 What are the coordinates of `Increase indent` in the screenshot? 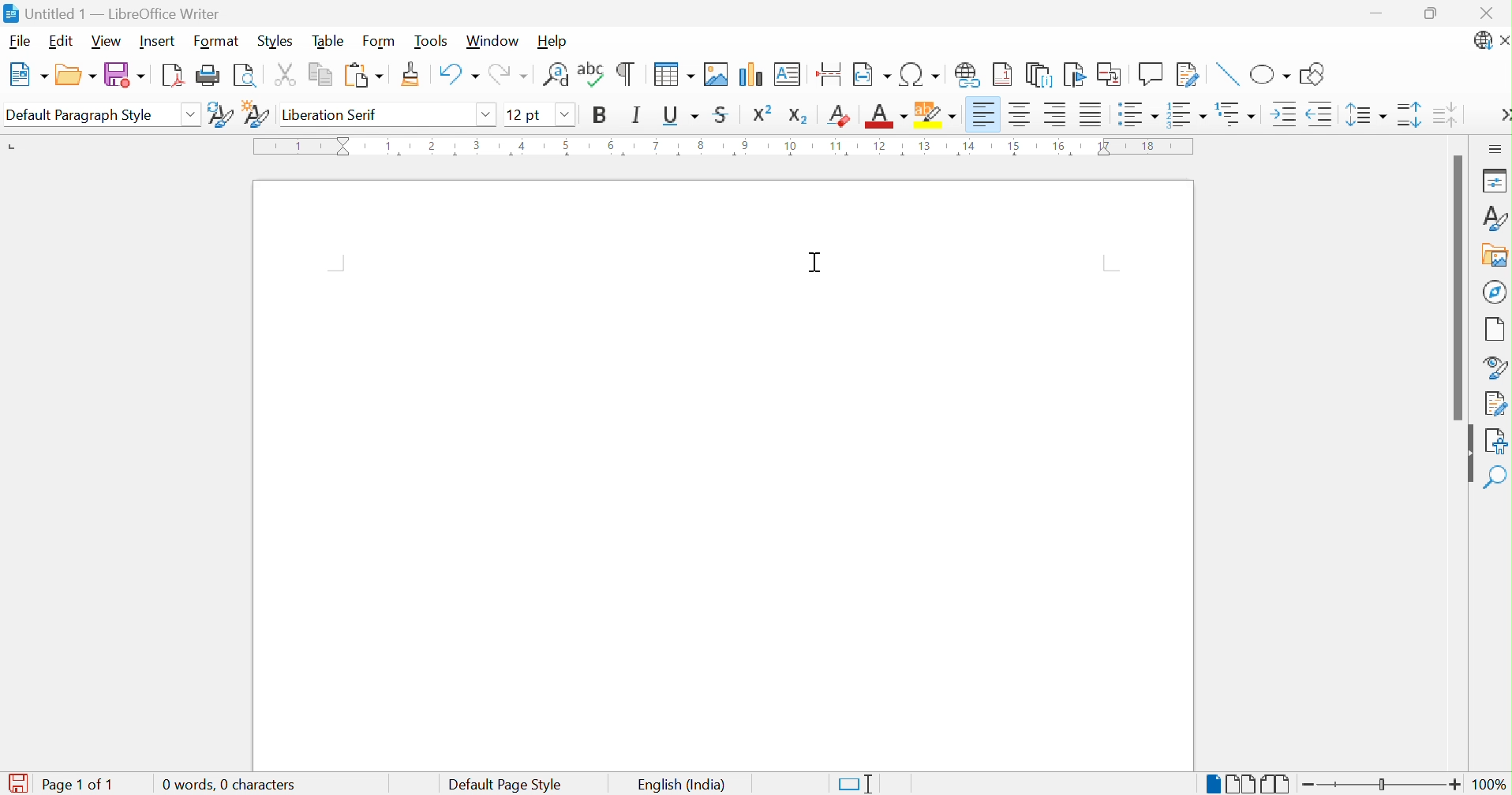 It's located at (1286, 114).